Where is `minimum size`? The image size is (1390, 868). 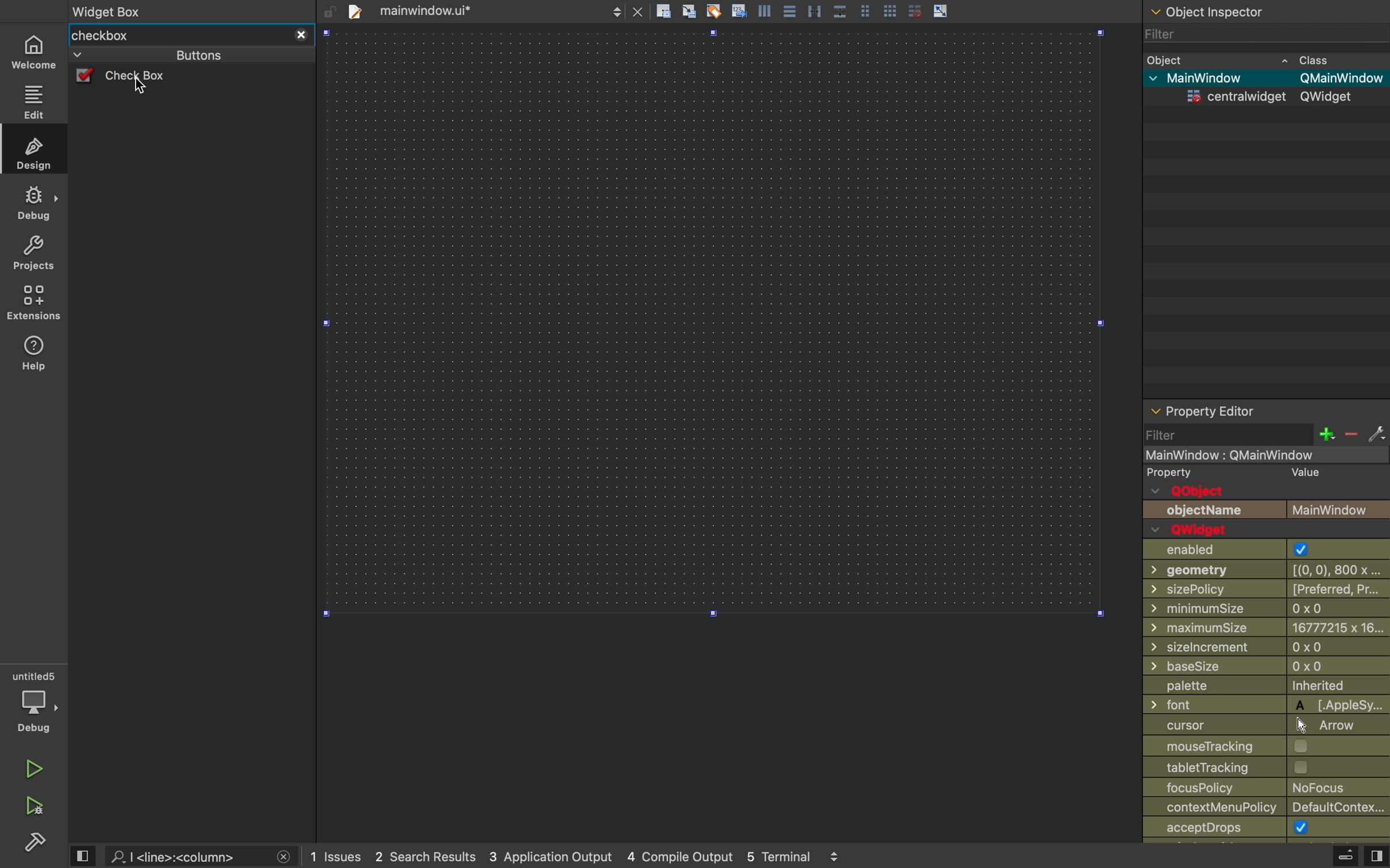 minimum size is located at coordinates (1240, 609).